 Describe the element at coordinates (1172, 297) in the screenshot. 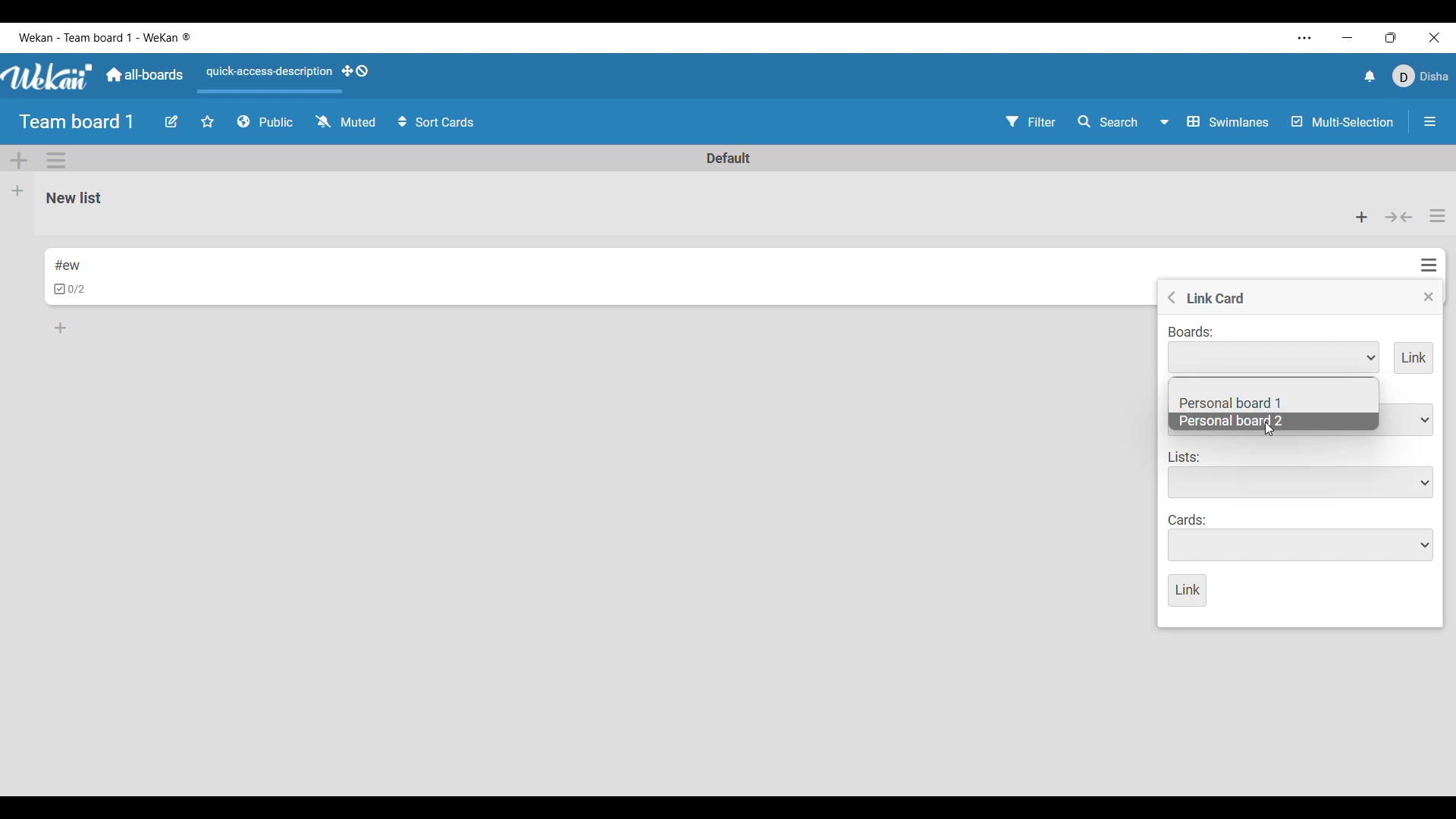

I see `Go to previous menu` at that location.